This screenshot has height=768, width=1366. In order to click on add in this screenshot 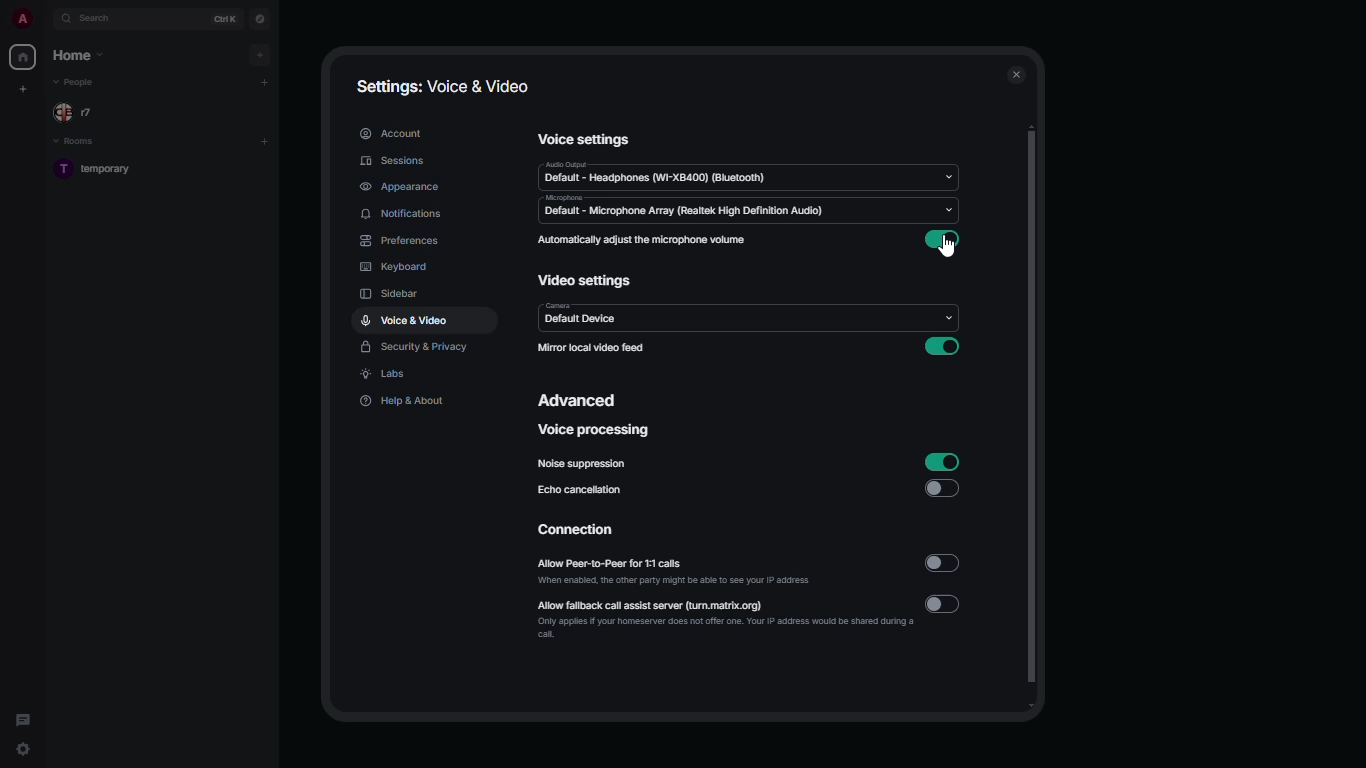, I will do `click(265, 80)`.